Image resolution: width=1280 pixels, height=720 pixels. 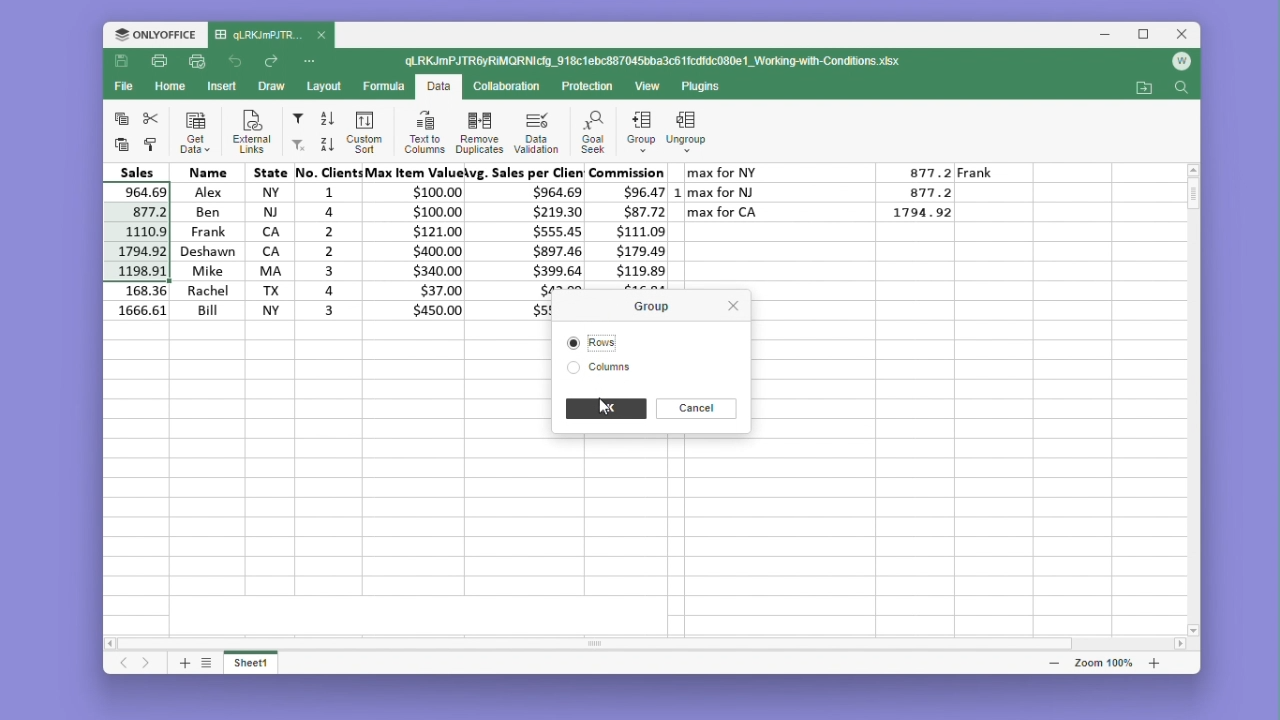 What do you see at coordinates (647, 86) in the screenshot?
I see `` at bounding box center [647, 86].